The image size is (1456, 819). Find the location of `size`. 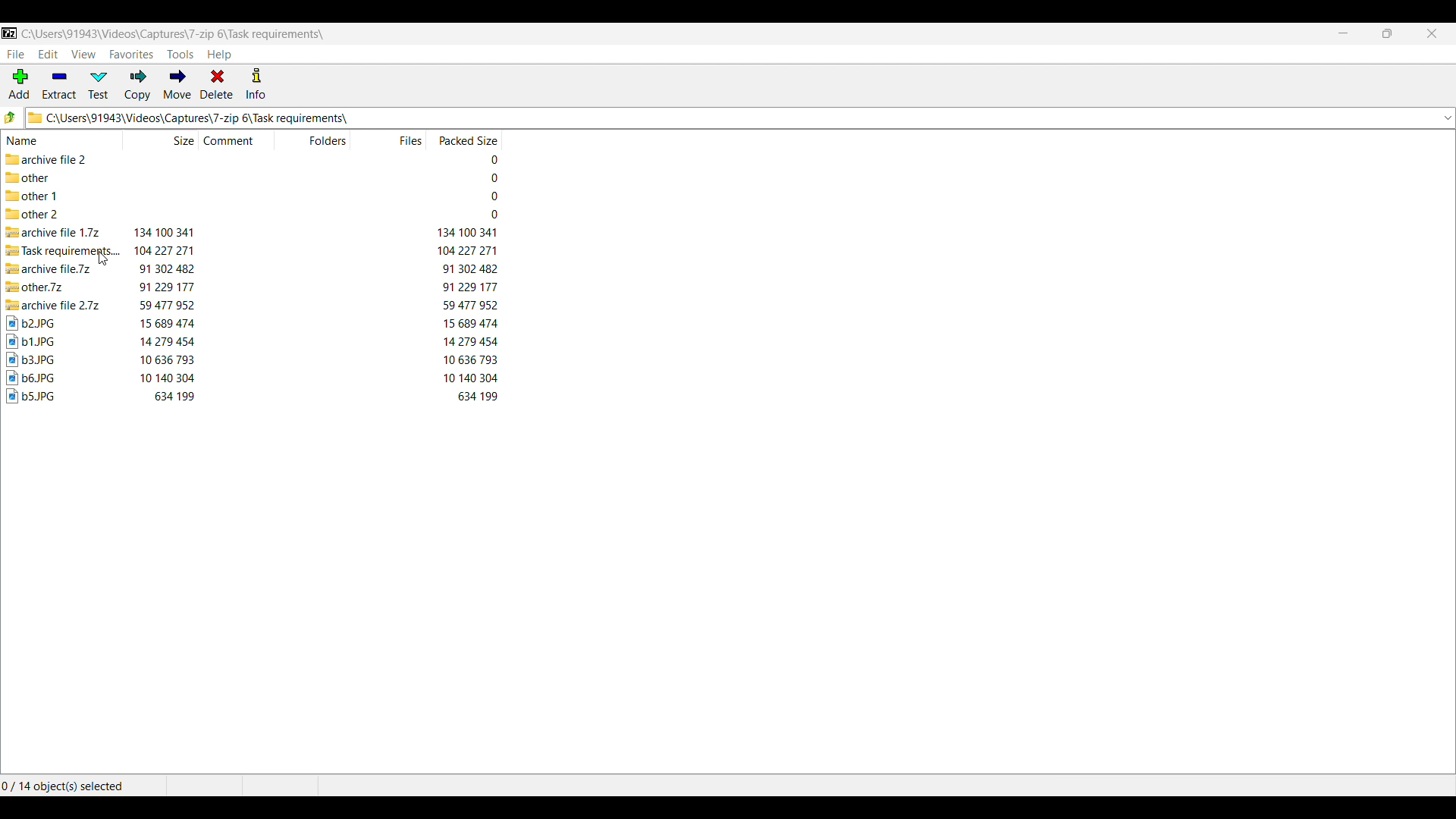

size is located at coordinates (165, 378).